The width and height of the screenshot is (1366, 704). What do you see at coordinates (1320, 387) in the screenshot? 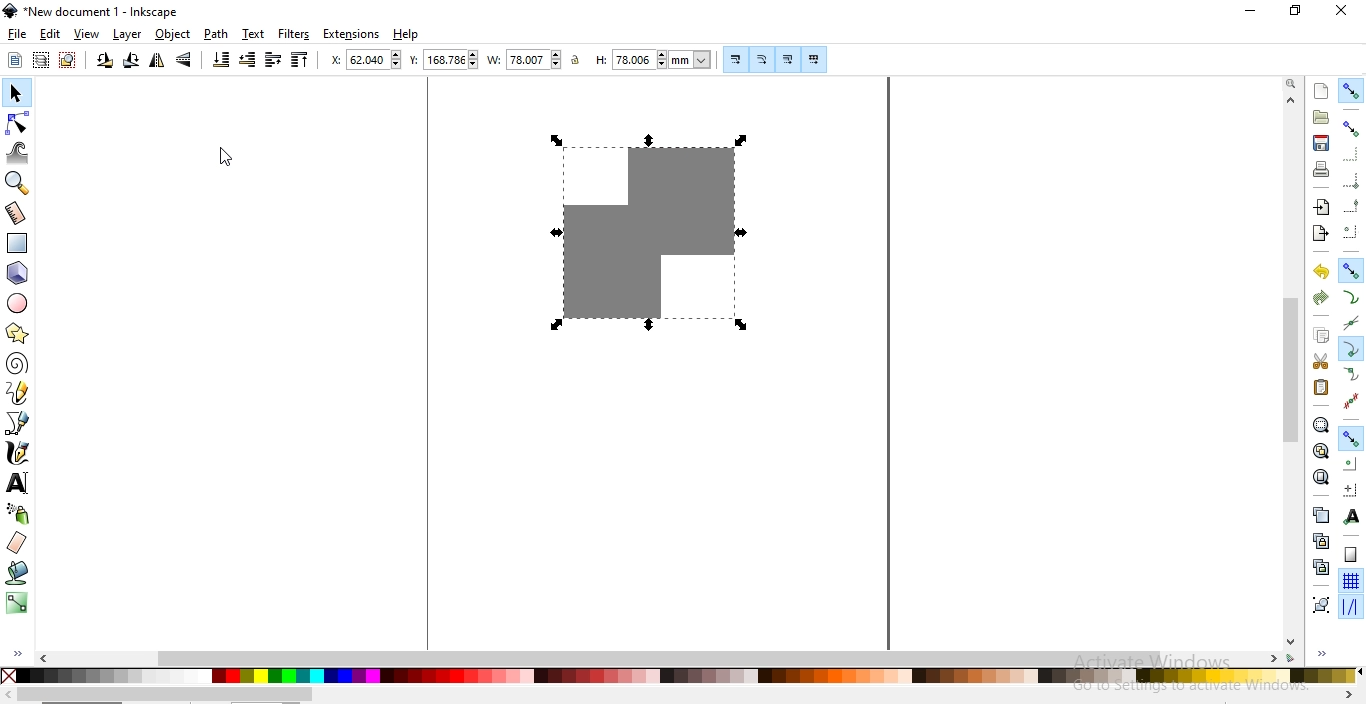
I see `paste` at bounding box center [1320, 387].